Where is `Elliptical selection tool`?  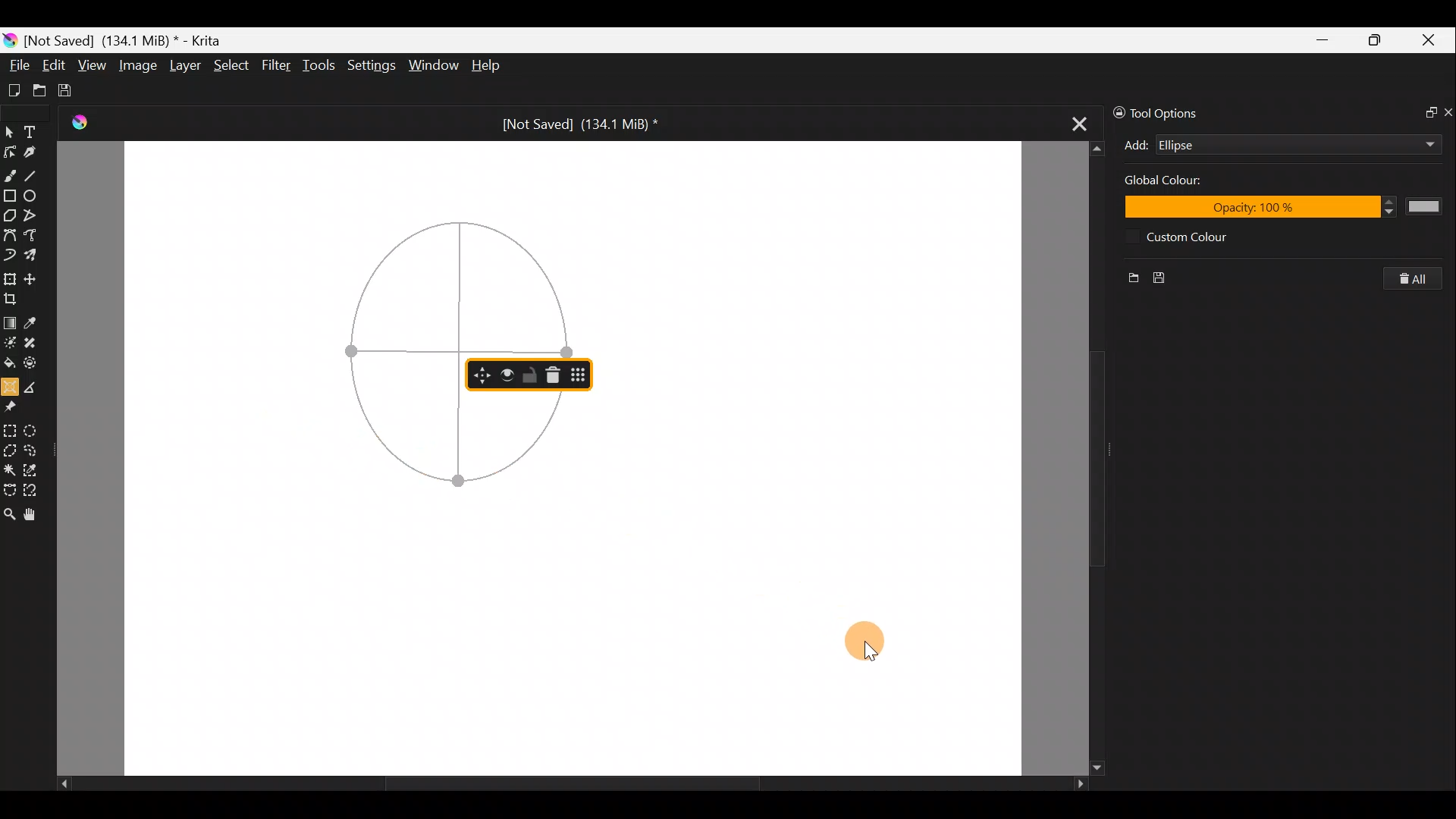
Elliptical selection tool is located at coordinates (38, 428).